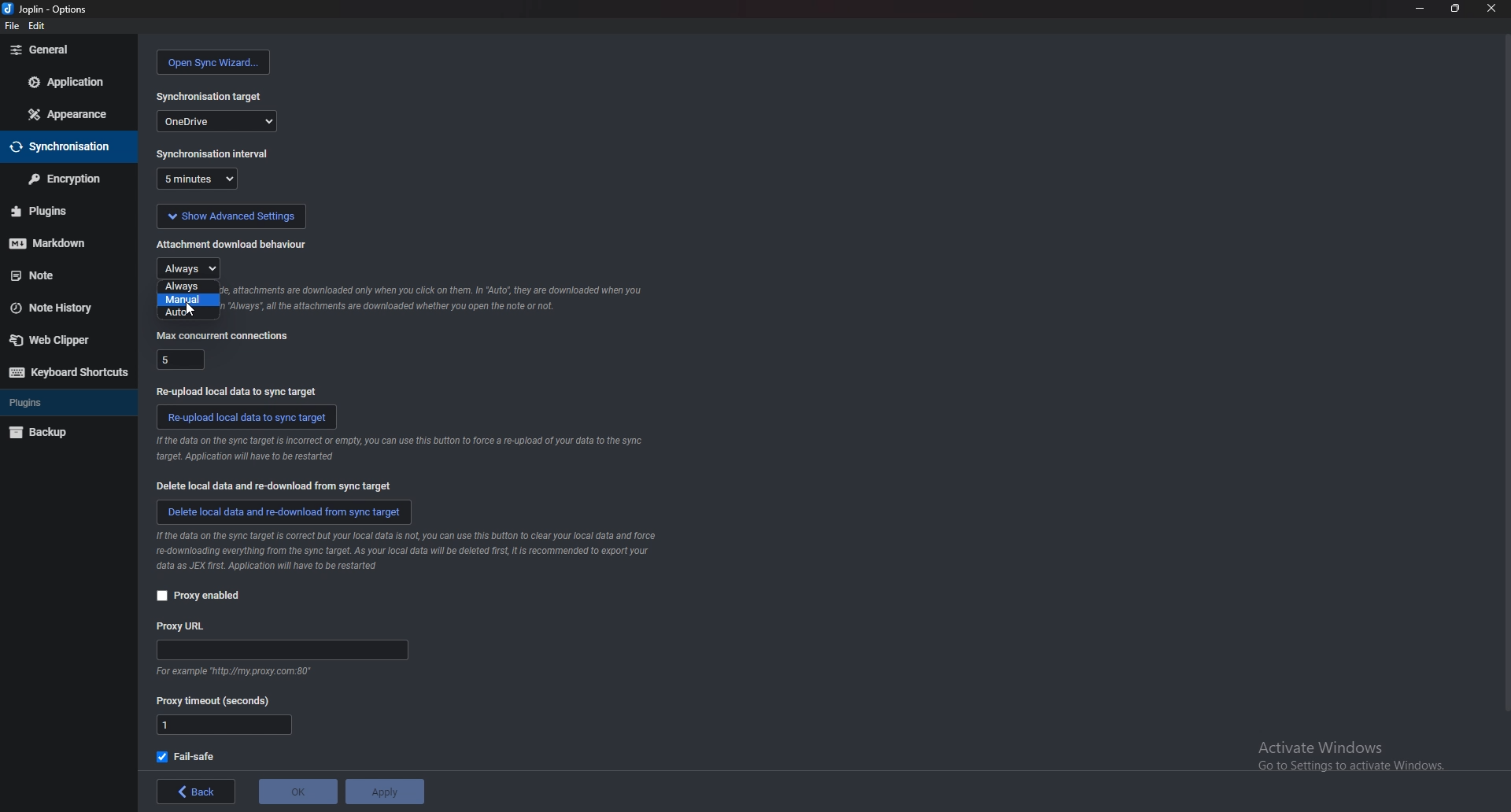 Image resolution: width=1511 pixels, height=812 pixels. Describe the element at coordinates (197, 179) in the screenshot. I see `duration` at that location.